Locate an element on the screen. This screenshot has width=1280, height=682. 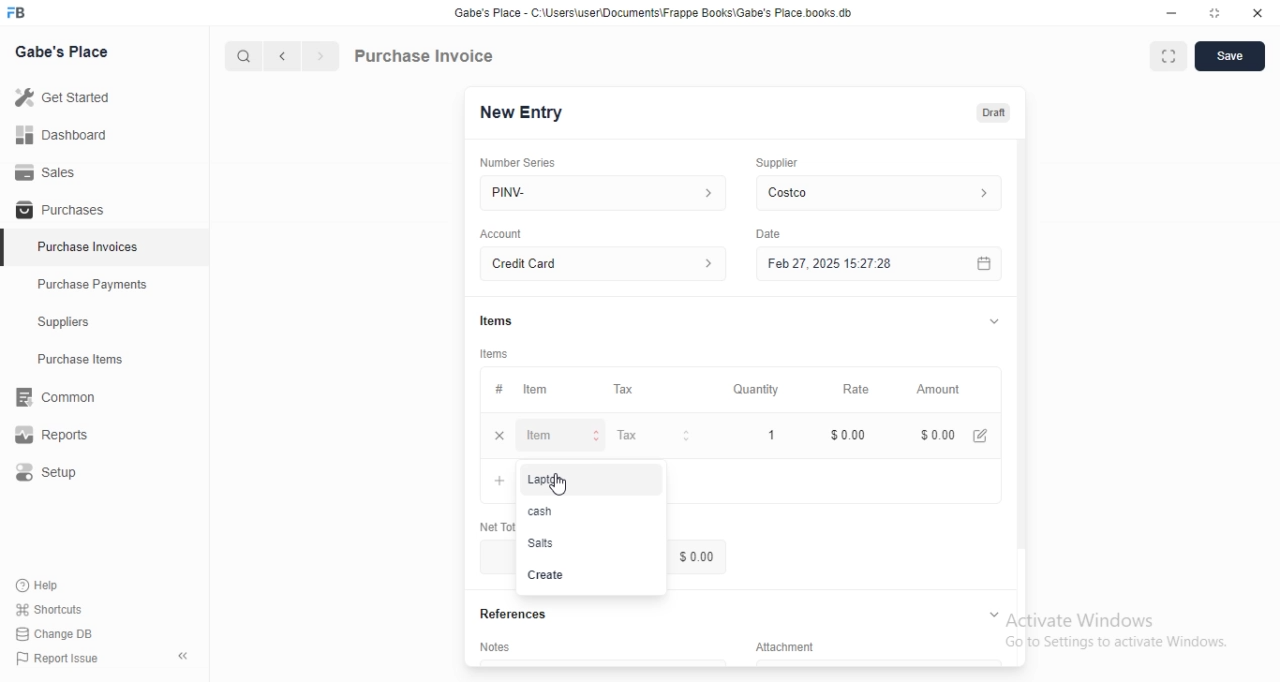
Search is located at coordinates (243, 56).